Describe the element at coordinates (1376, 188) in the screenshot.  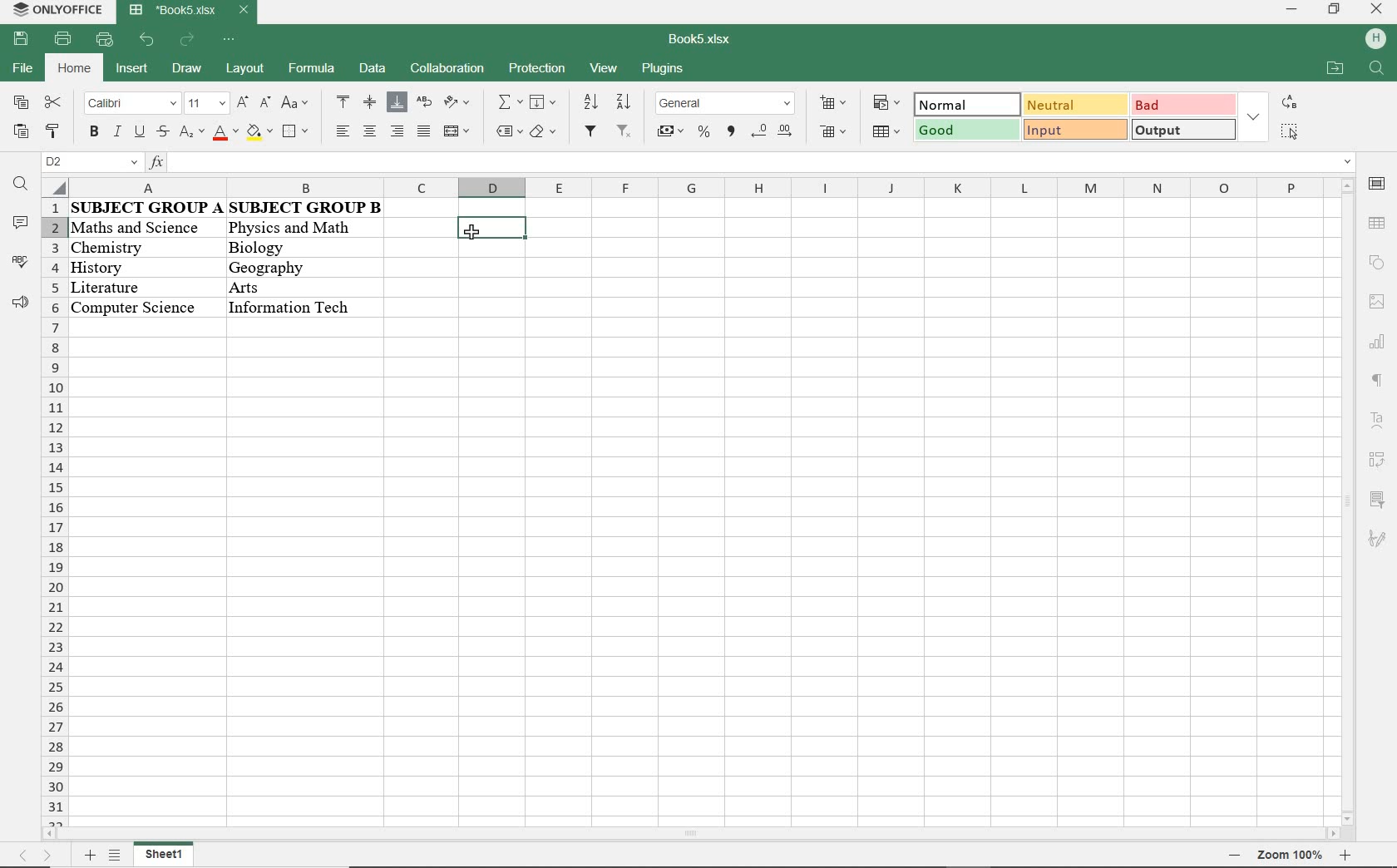
I see `sign` at that location.